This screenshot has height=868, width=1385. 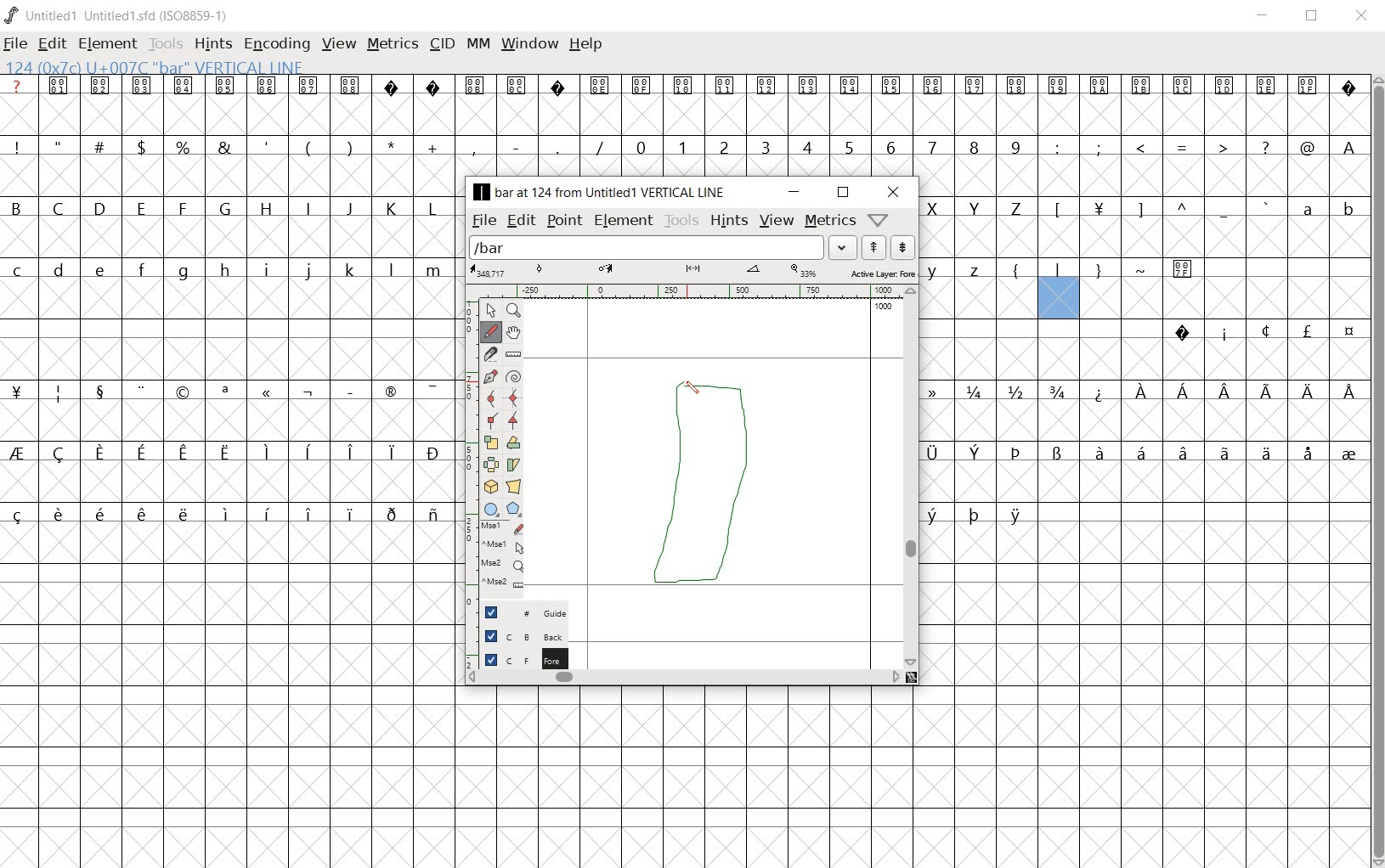 I want to click on letters and symbols, so click(x=1068, y=270).